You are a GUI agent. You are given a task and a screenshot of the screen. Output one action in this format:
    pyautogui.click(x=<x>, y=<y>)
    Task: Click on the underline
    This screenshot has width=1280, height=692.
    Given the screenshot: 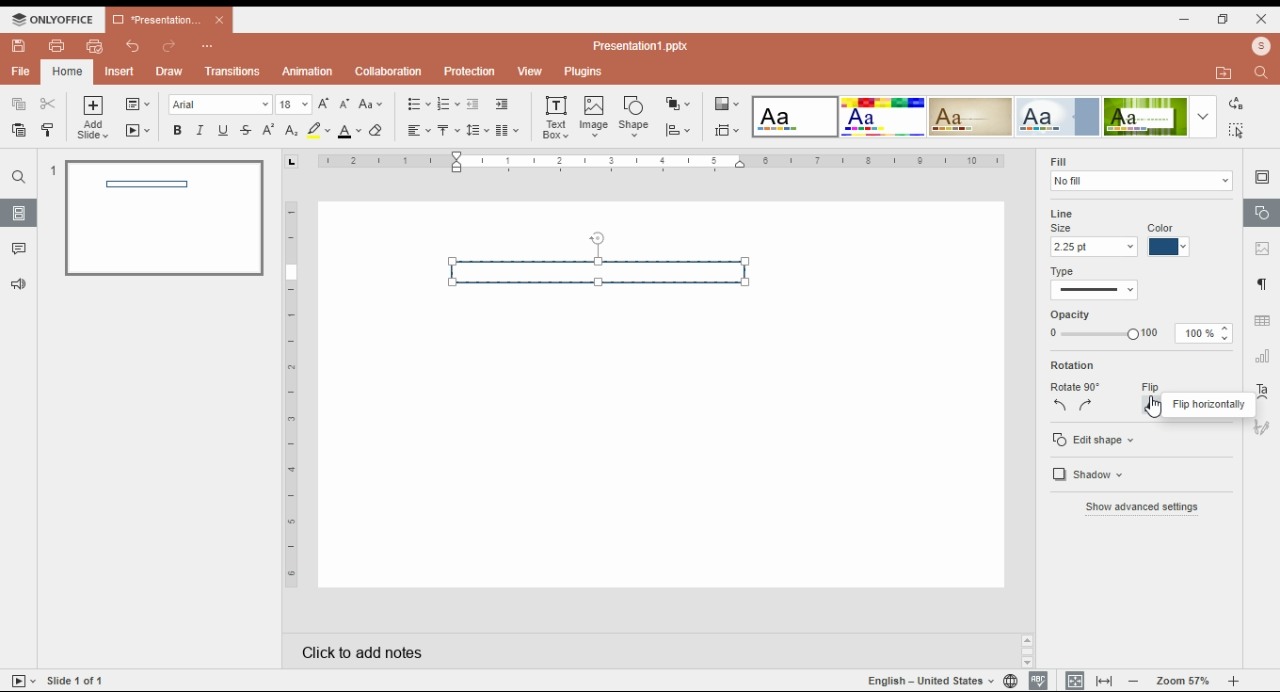 What is the action you would take?
    pyautogui.click(x=224, y=130)
    